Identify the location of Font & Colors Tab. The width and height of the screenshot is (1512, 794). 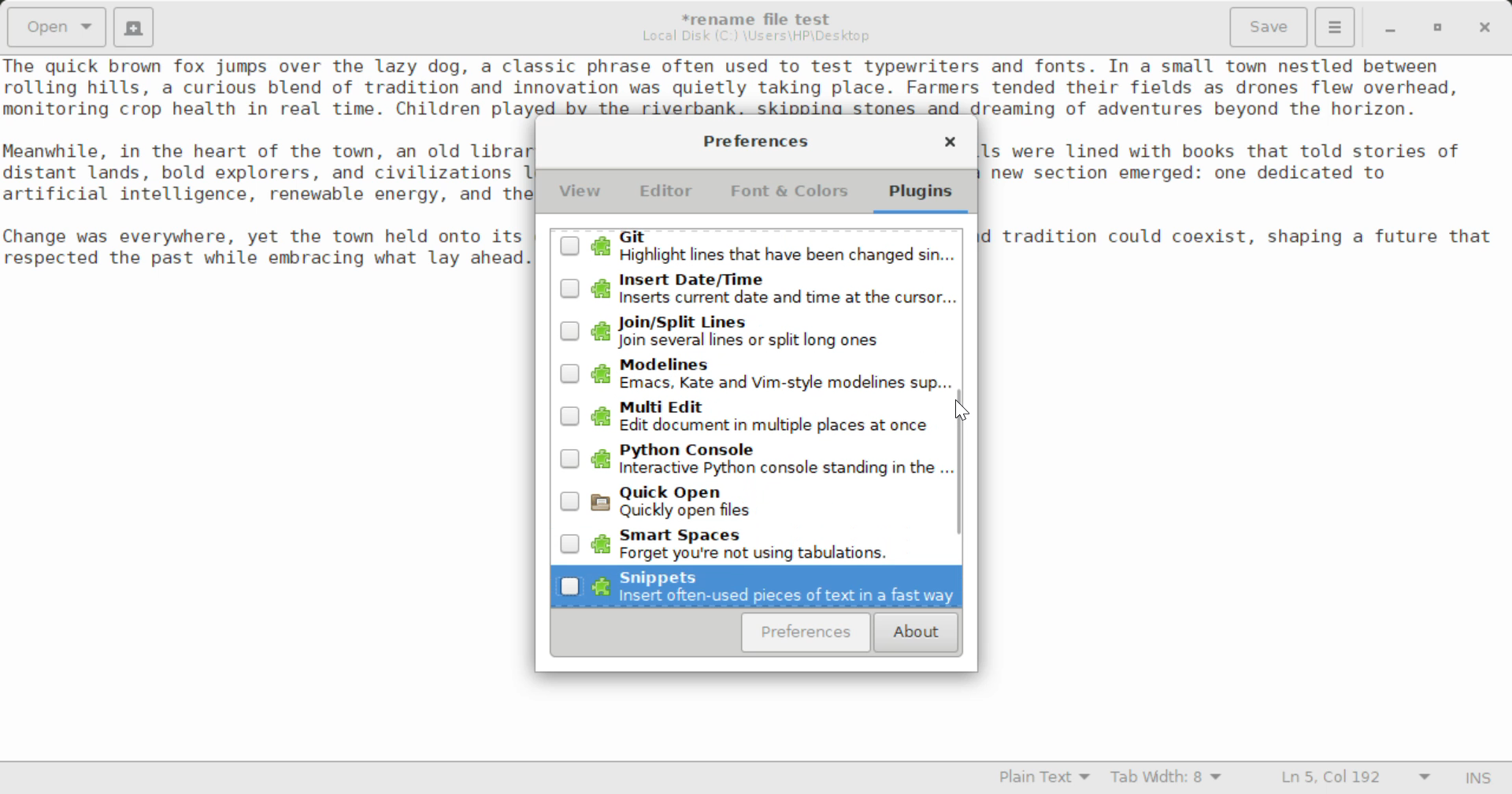
(789, 197).